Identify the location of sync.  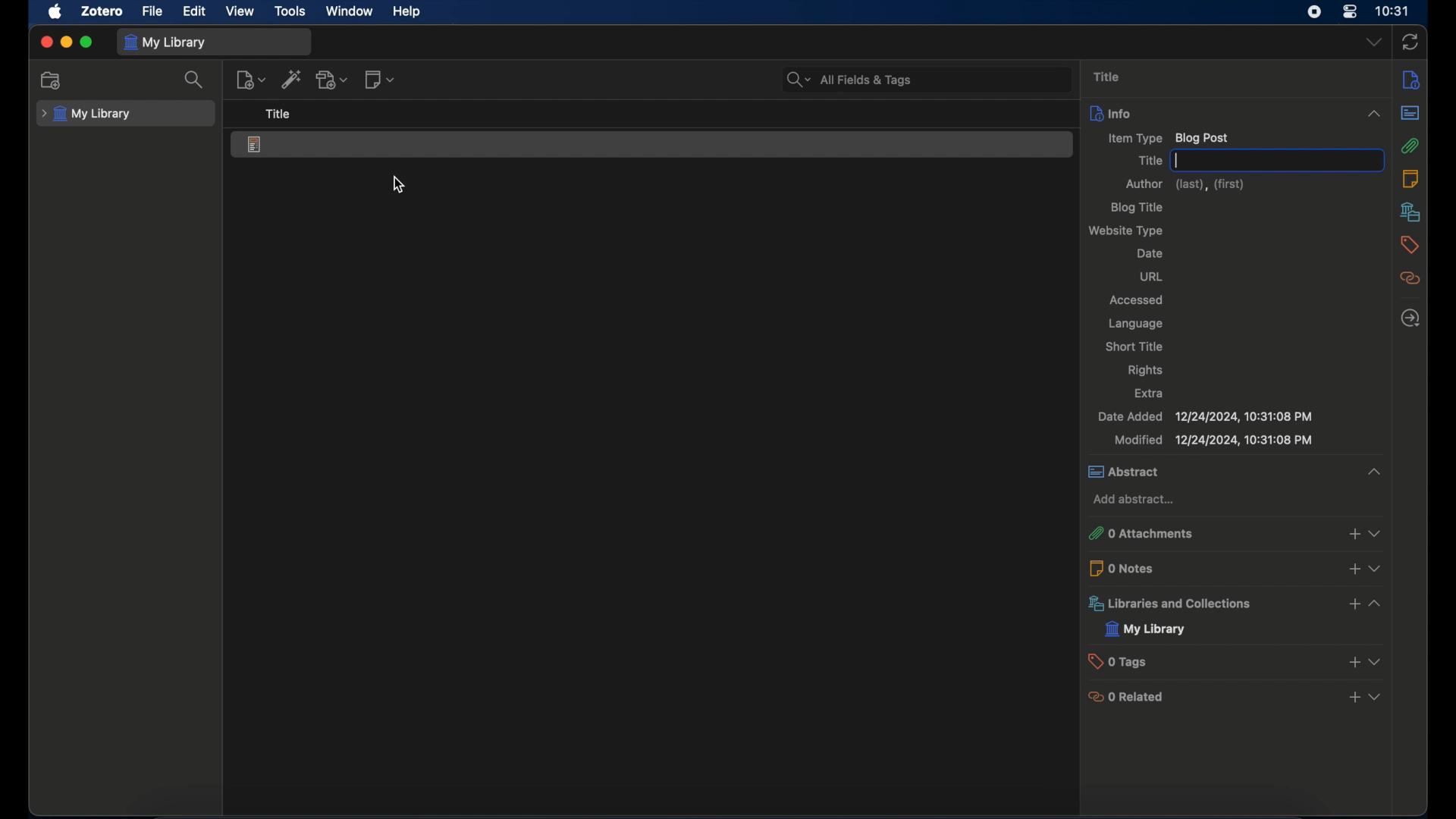
(1410, 43).